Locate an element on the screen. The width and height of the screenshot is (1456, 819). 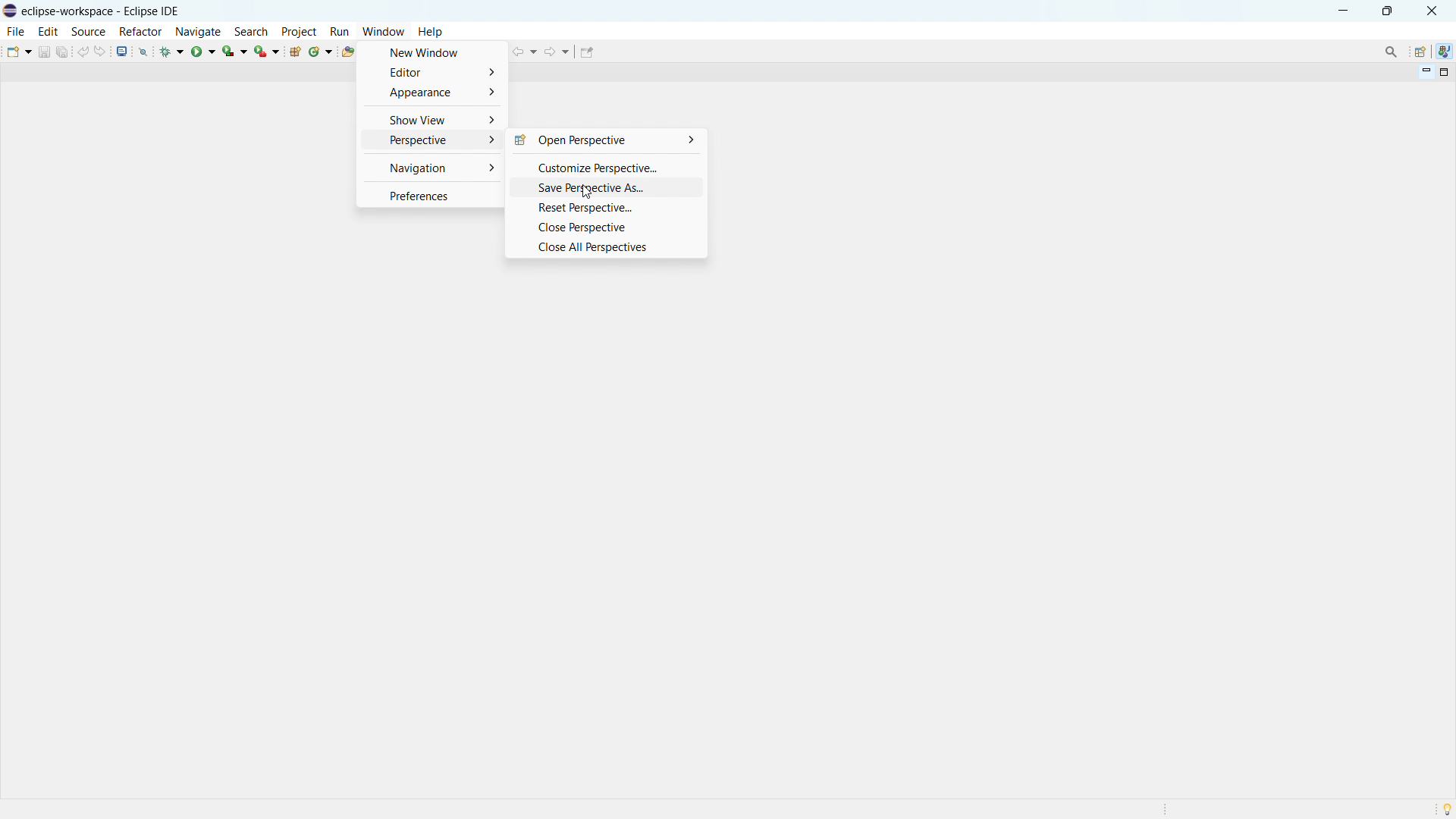
preferences is located at coordinates (431, 196).